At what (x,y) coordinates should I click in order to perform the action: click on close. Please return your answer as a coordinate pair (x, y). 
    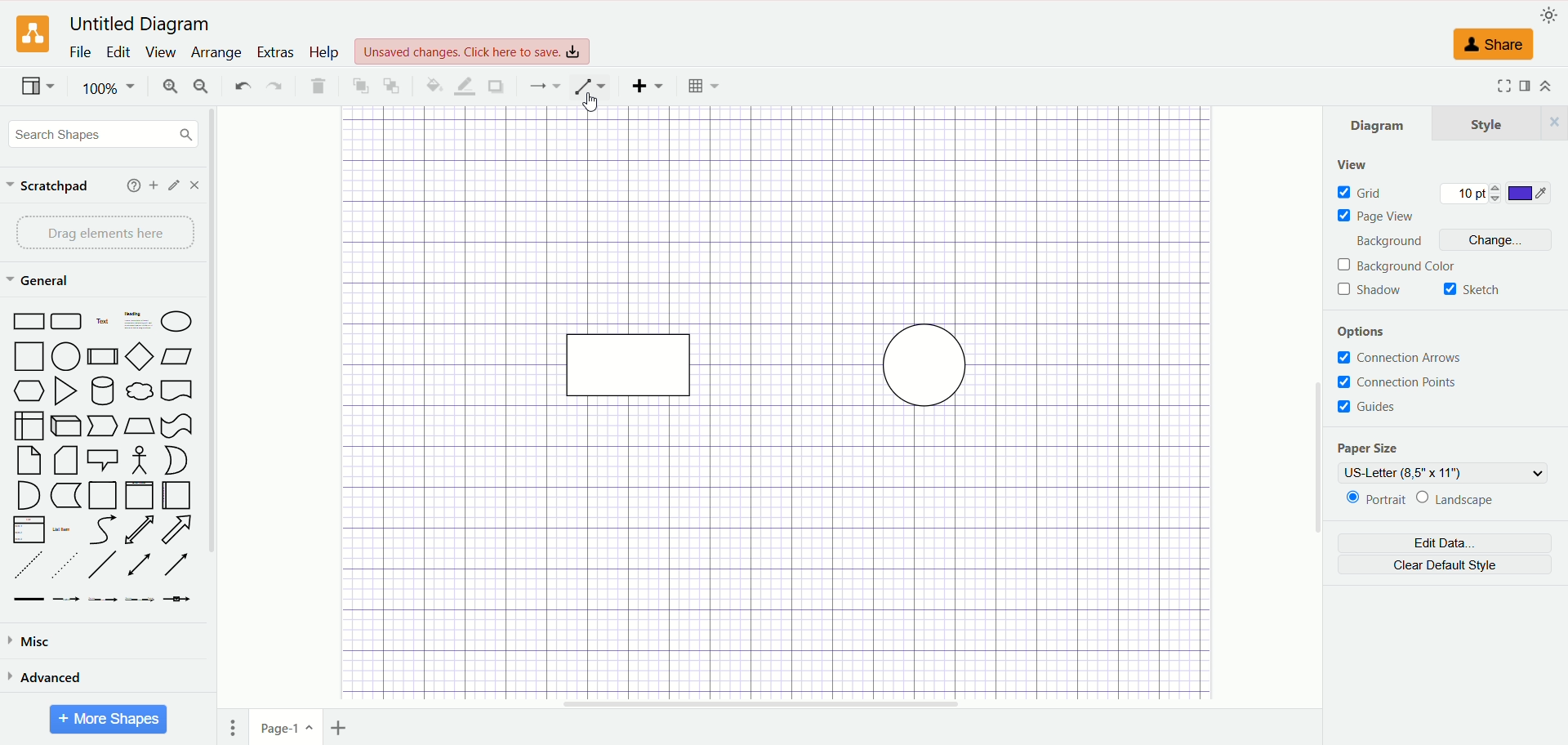
    Looking at the image, I should click on (196, 185).